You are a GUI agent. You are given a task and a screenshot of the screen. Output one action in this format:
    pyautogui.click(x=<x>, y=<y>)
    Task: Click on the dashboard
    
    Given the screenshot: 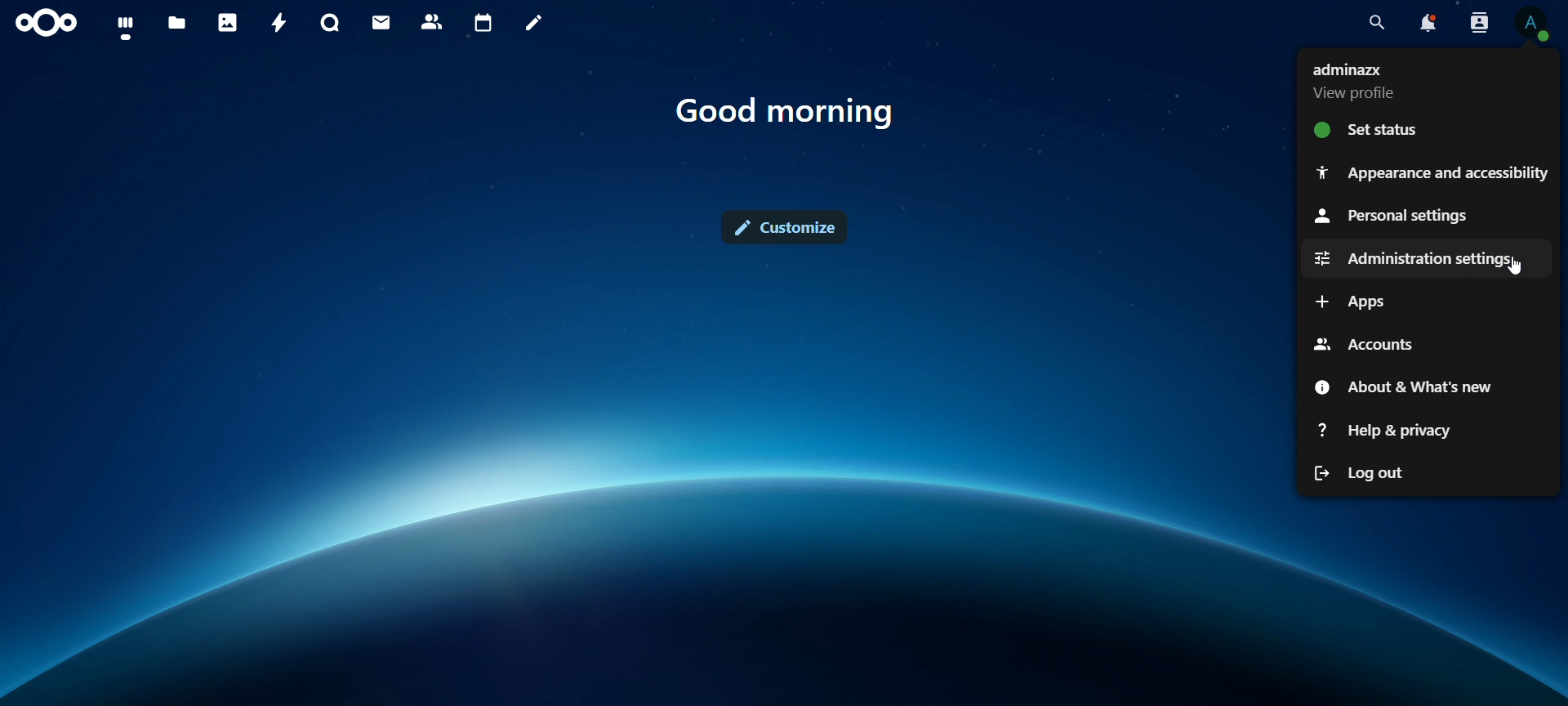 What is the action you would take?
    pyautogui.click(x=124, y=26)
    